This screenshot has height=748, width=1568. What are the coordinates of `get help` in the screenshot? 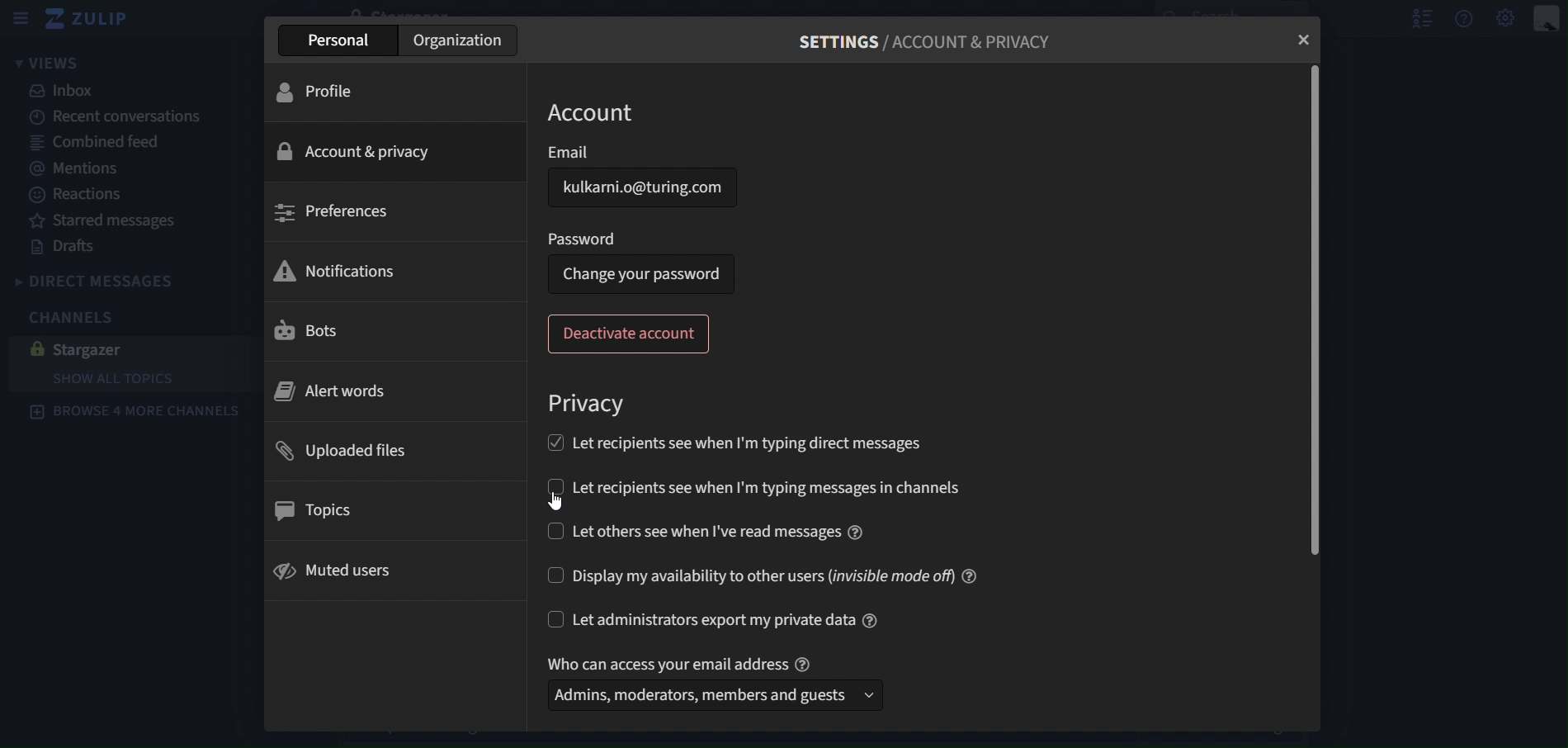 It's located at (1465, 19).